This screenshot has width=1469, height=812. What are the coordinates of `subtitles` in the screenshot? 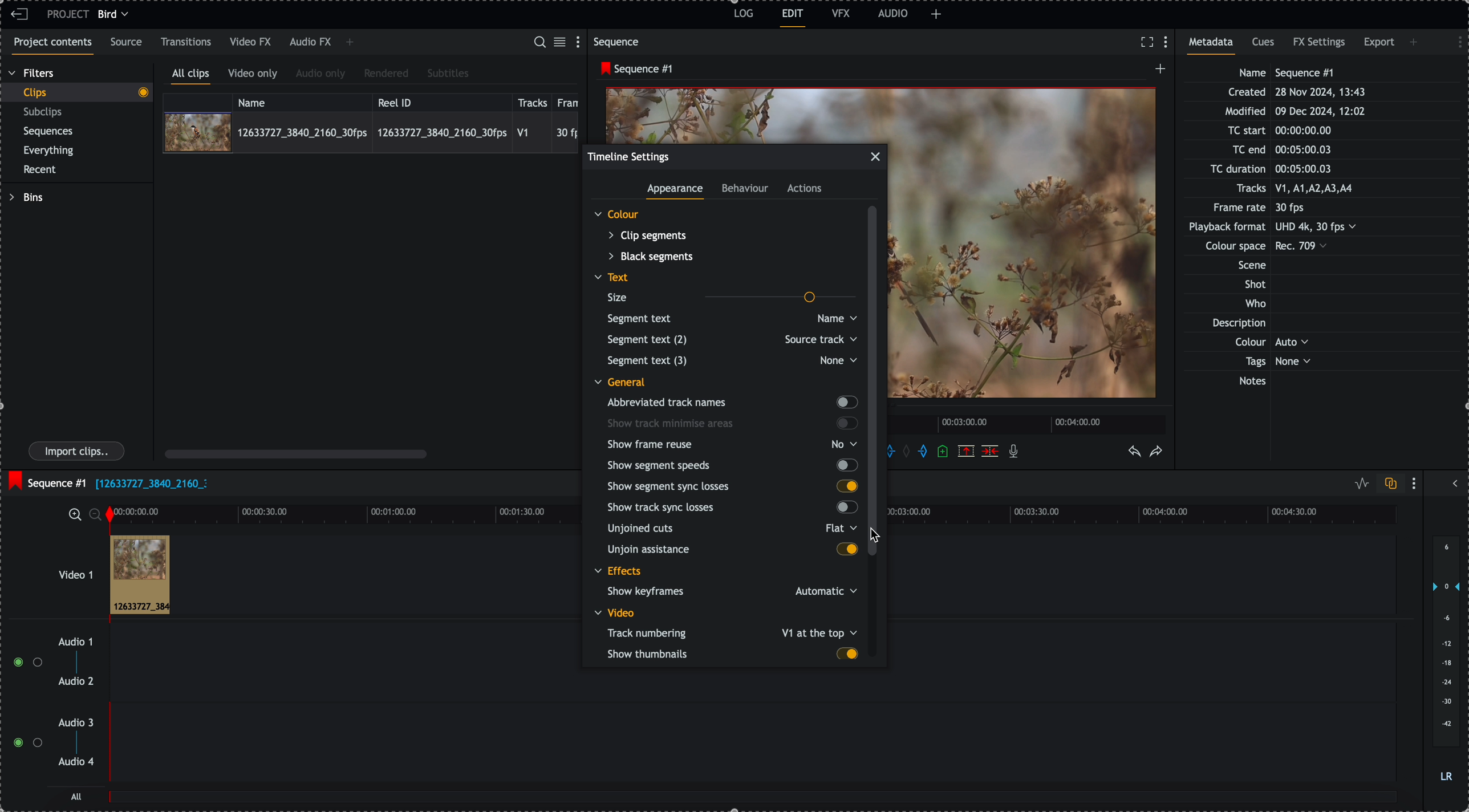 It's located at (448, 74).